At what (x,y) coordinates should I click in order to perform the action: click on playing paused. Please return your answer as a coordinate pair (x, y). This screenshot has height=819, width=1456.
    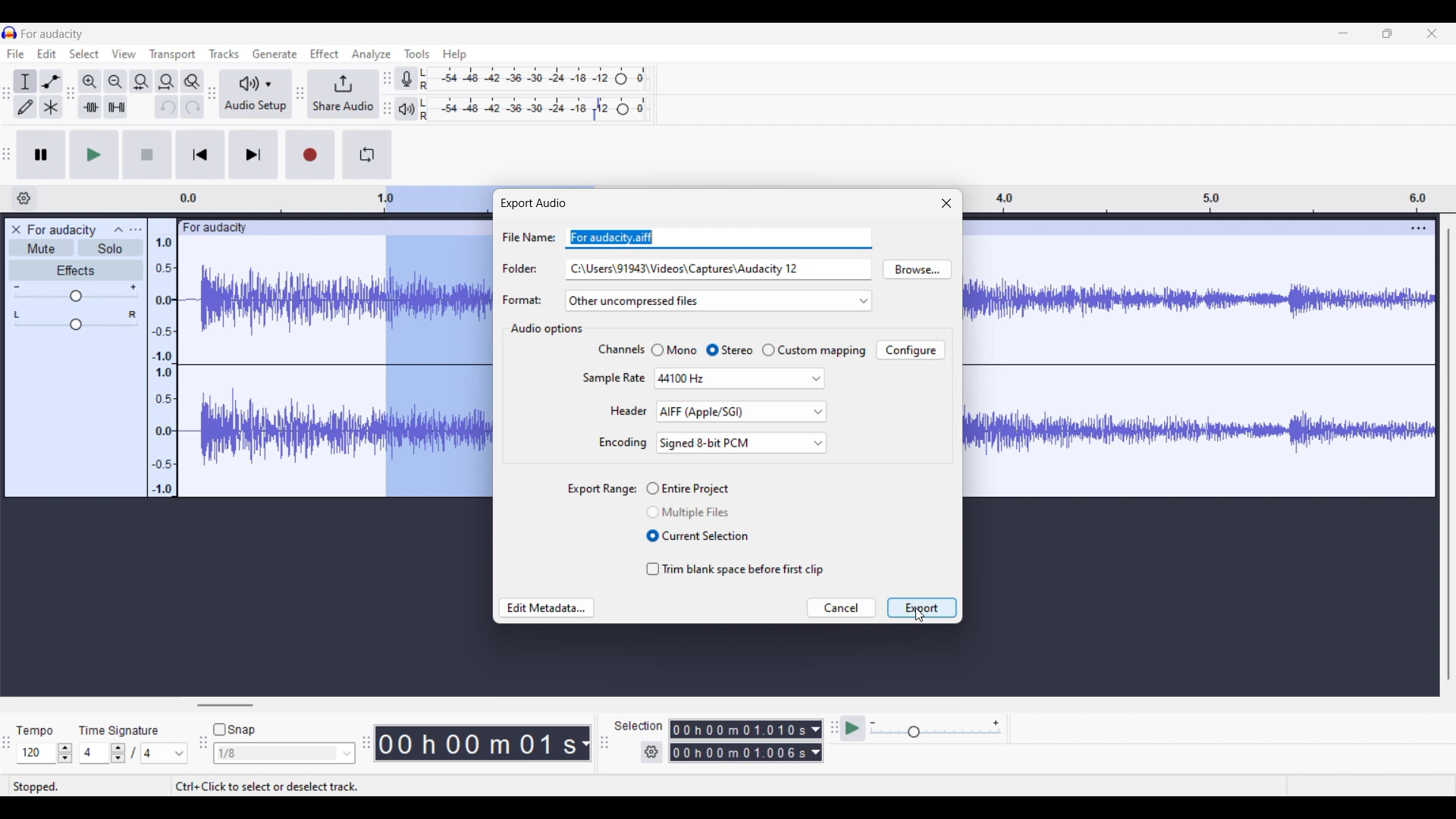
    Looking at the image, I should click on (65, 785).